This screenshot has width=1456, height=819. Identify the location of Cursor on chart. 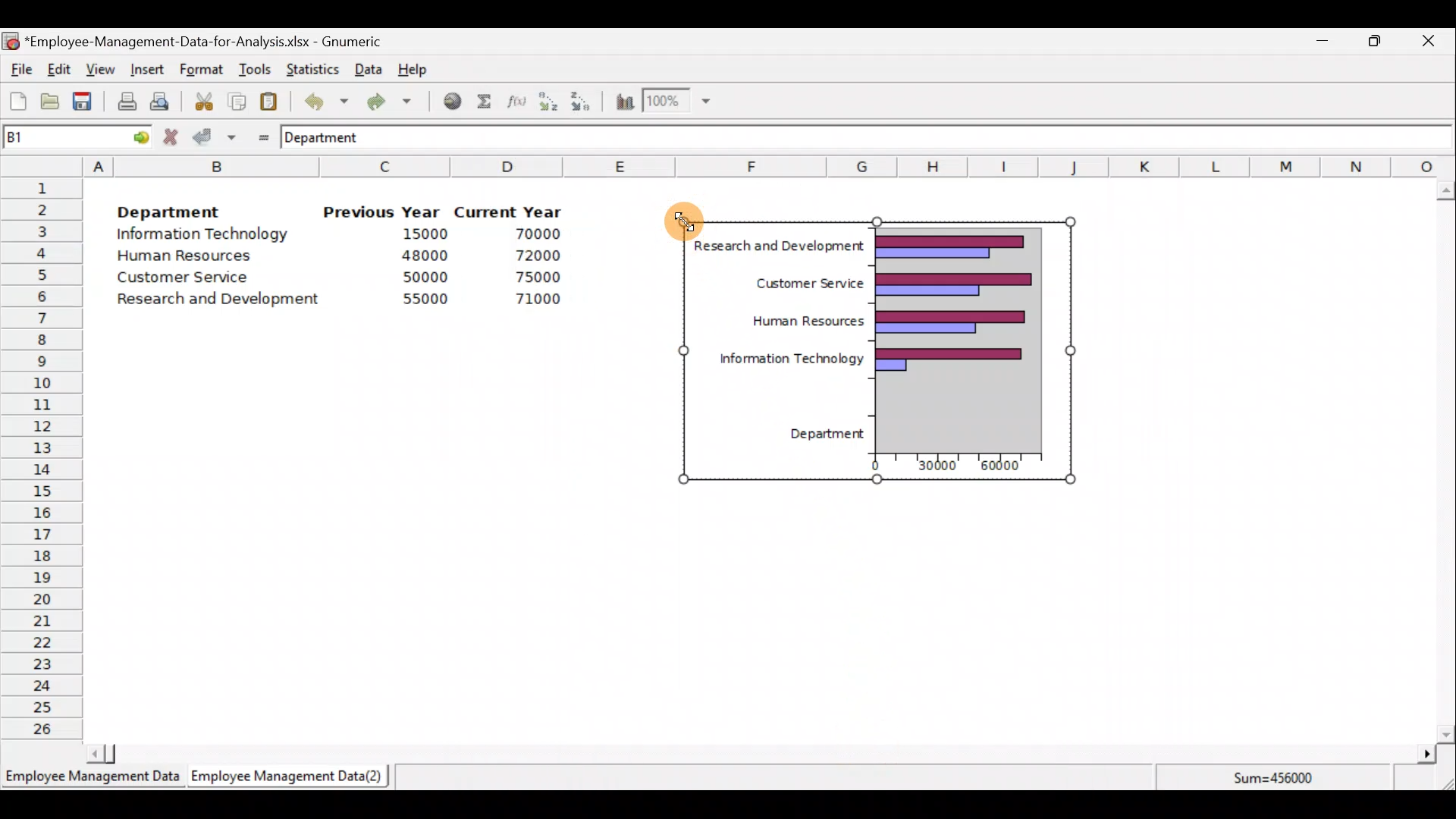
(674, 220).